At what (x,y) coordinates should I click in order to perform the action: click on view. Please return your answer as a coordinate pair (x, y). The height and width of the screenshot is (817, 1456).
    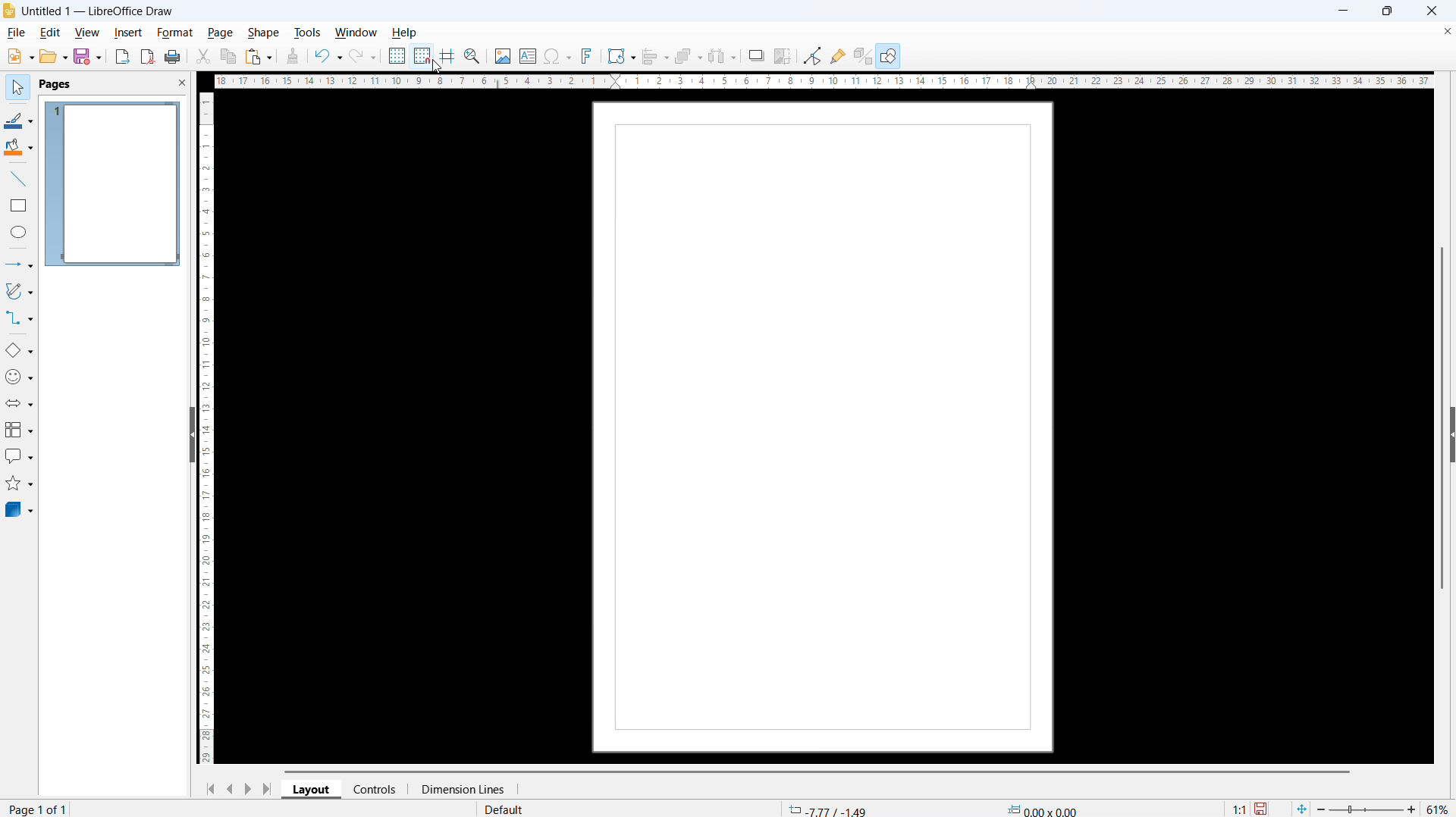
    Looking at the image, I should click on (86, 33).